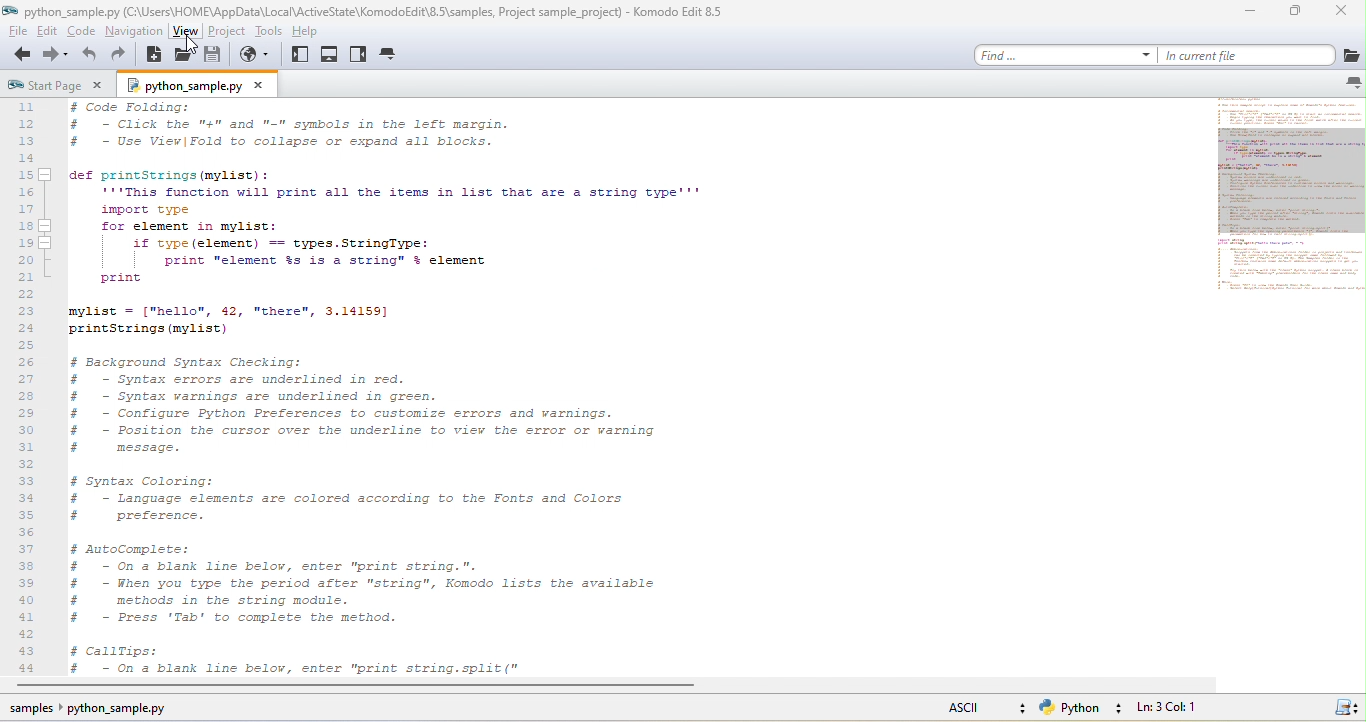 The width and height of the screenshot is (1366, 722). Describe the element at coordinates (361, 54) in the screenshot. I see `right pane` at that location.